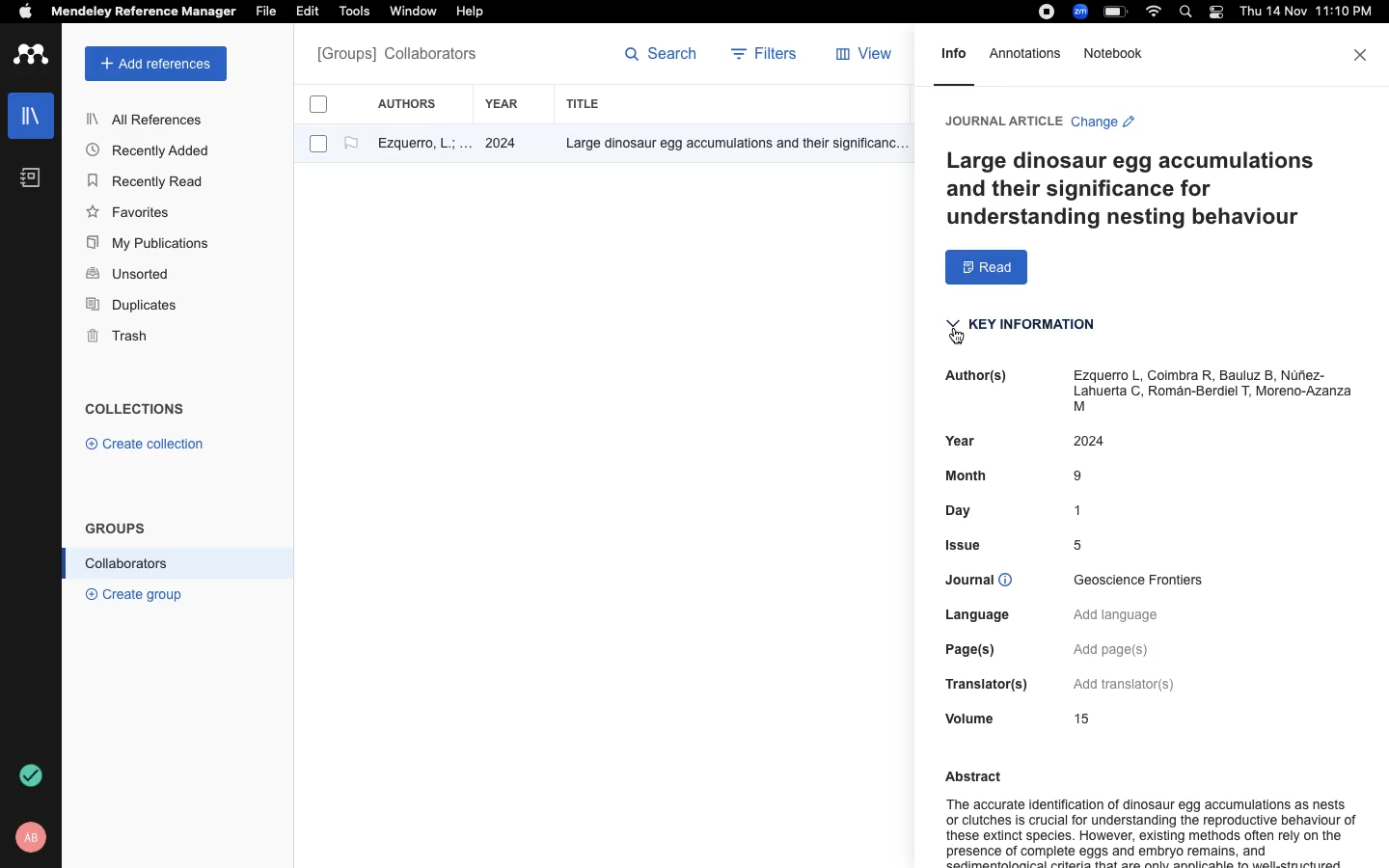  Describe the element at coordinates (132, 211) in the screenshot. I see `Favorites` at that location.